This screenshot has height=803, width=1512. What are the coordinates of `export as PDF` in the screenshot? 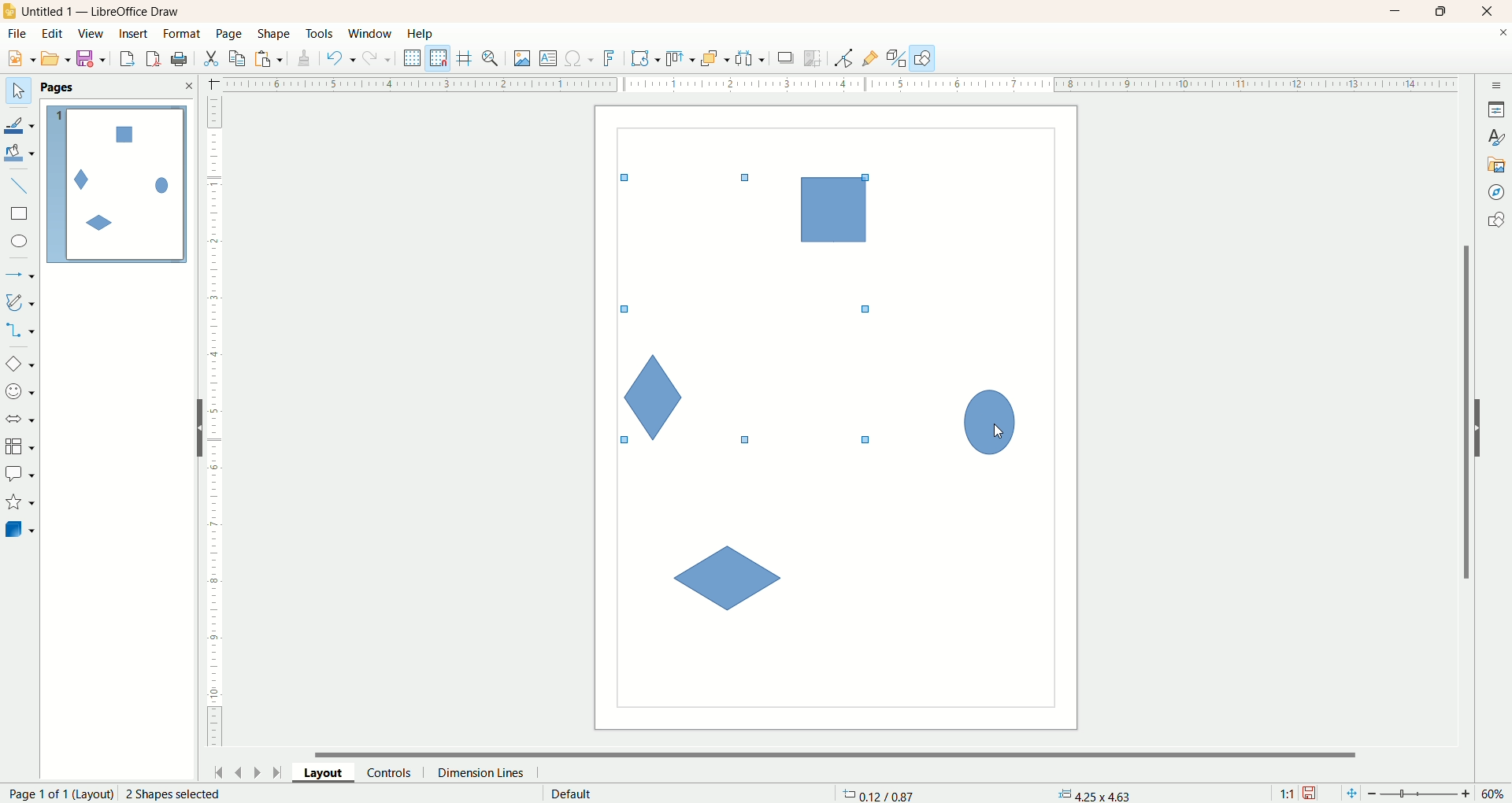 It's located at (181, 60).